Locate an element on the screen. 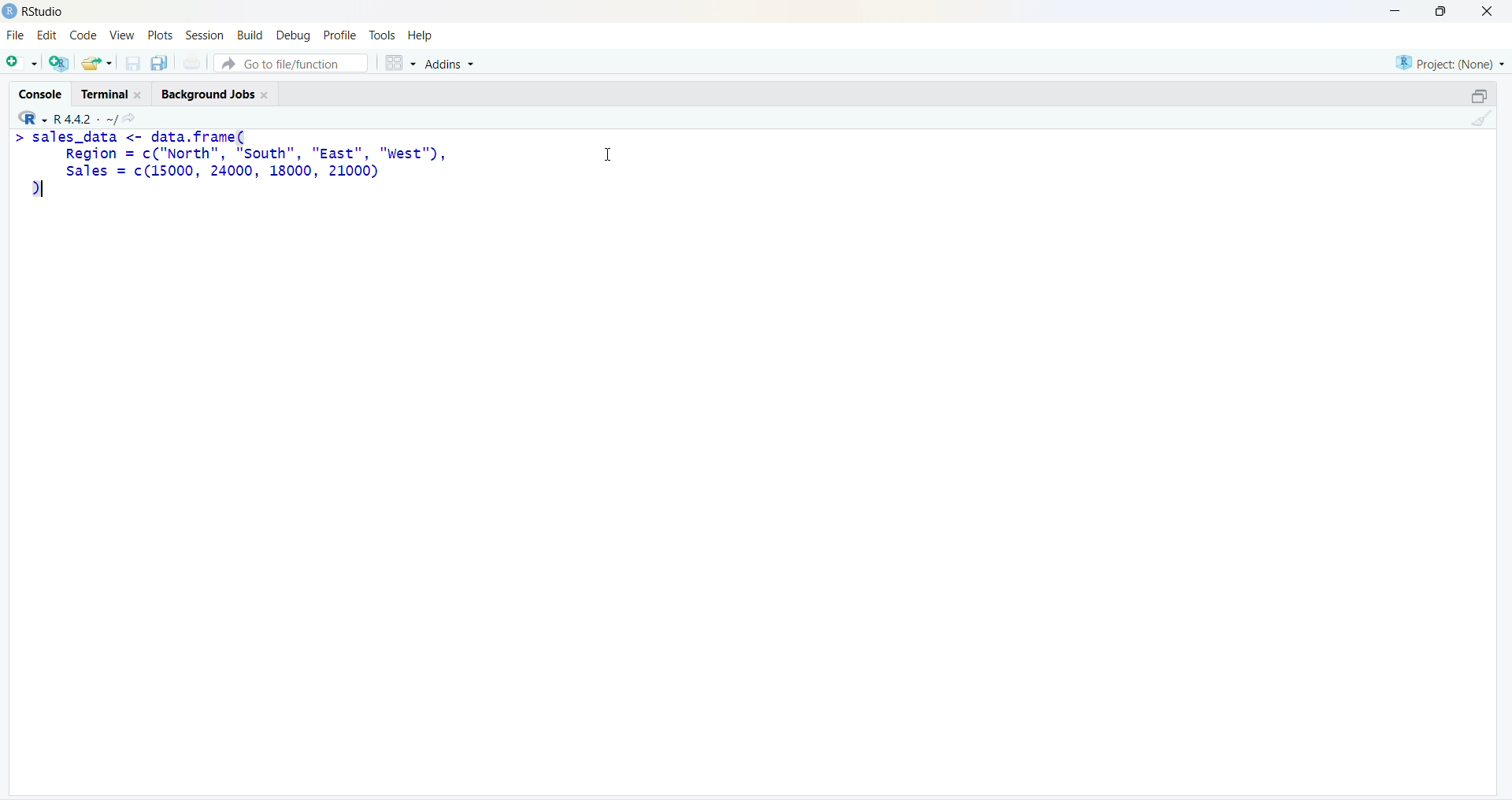 Image resolution: width=1512 pixels, height=800 pixels. add script is located at coordinates (20, 64).